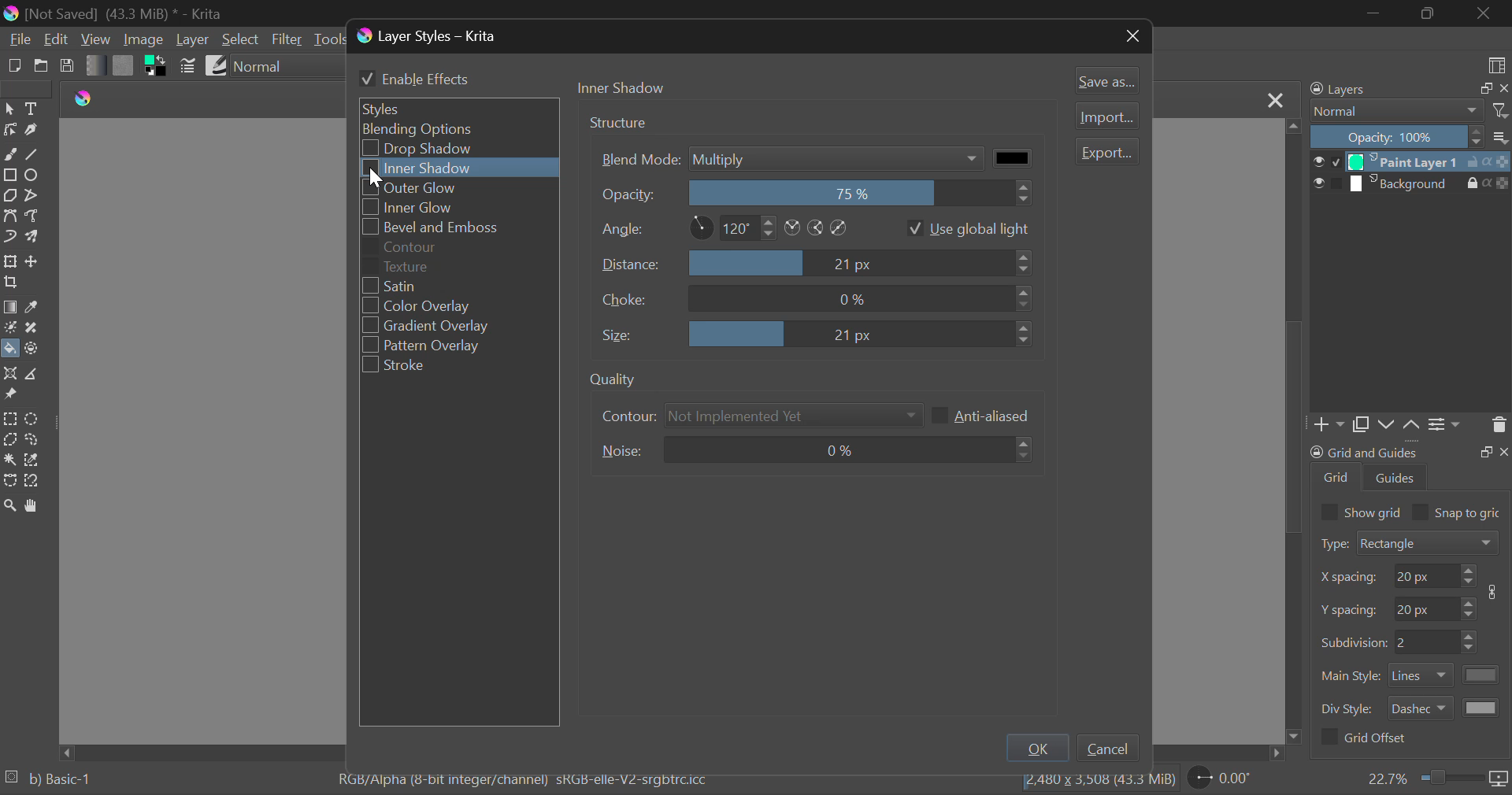  I want to click on Export, so click(1106, 152).